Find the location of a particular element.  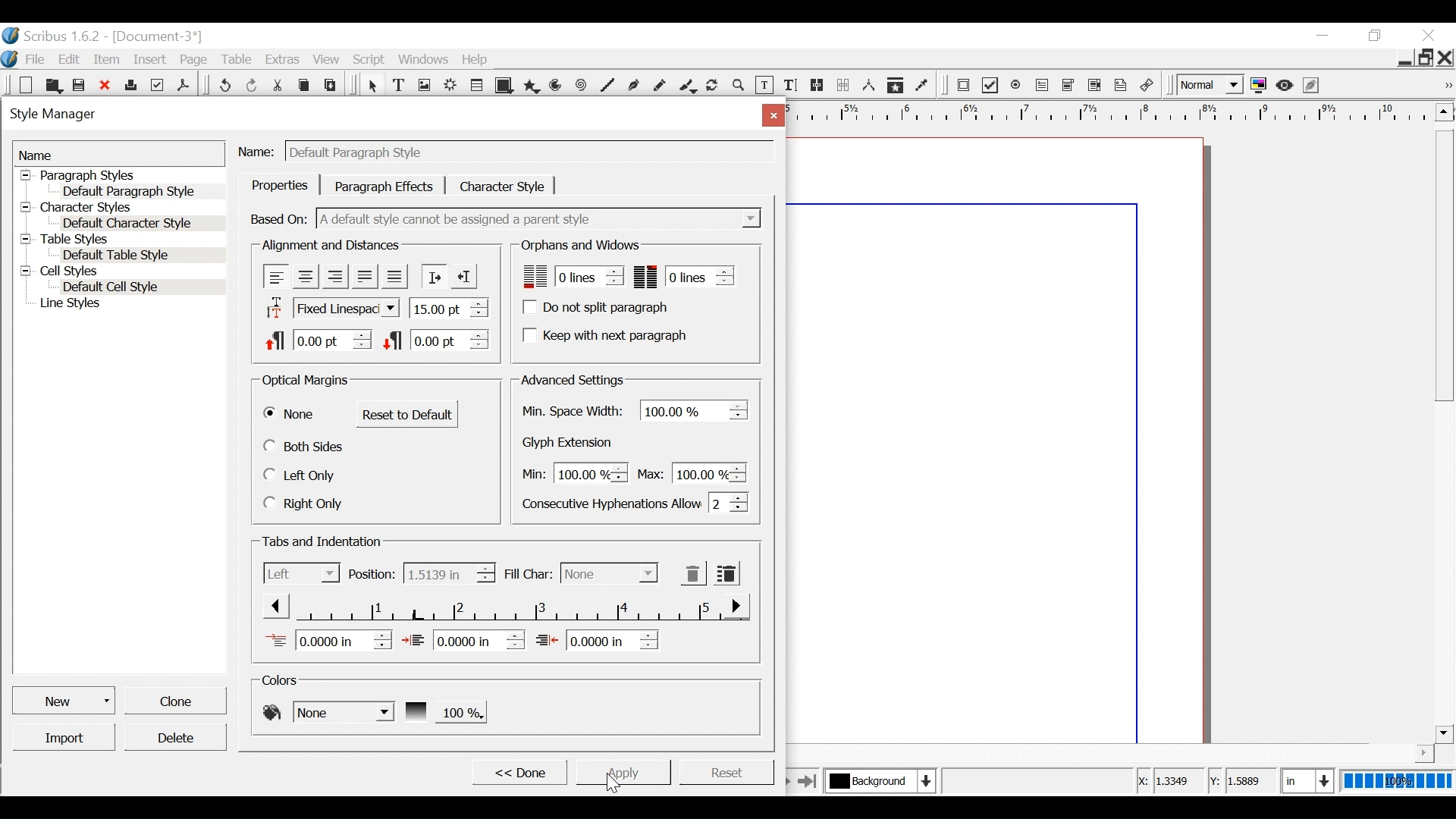

link text frames is located at coordinates (817, 86).